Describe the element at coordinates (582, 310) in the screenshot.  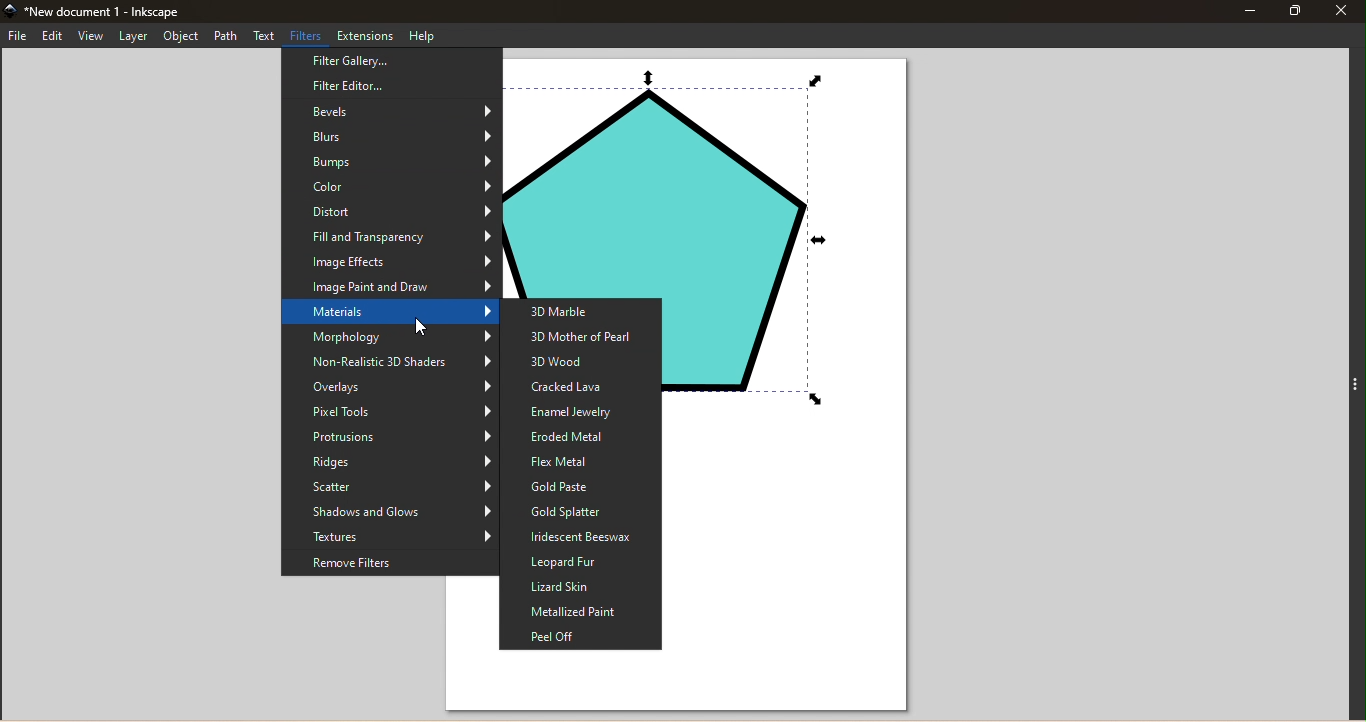
I see `3D Marble` at that location.